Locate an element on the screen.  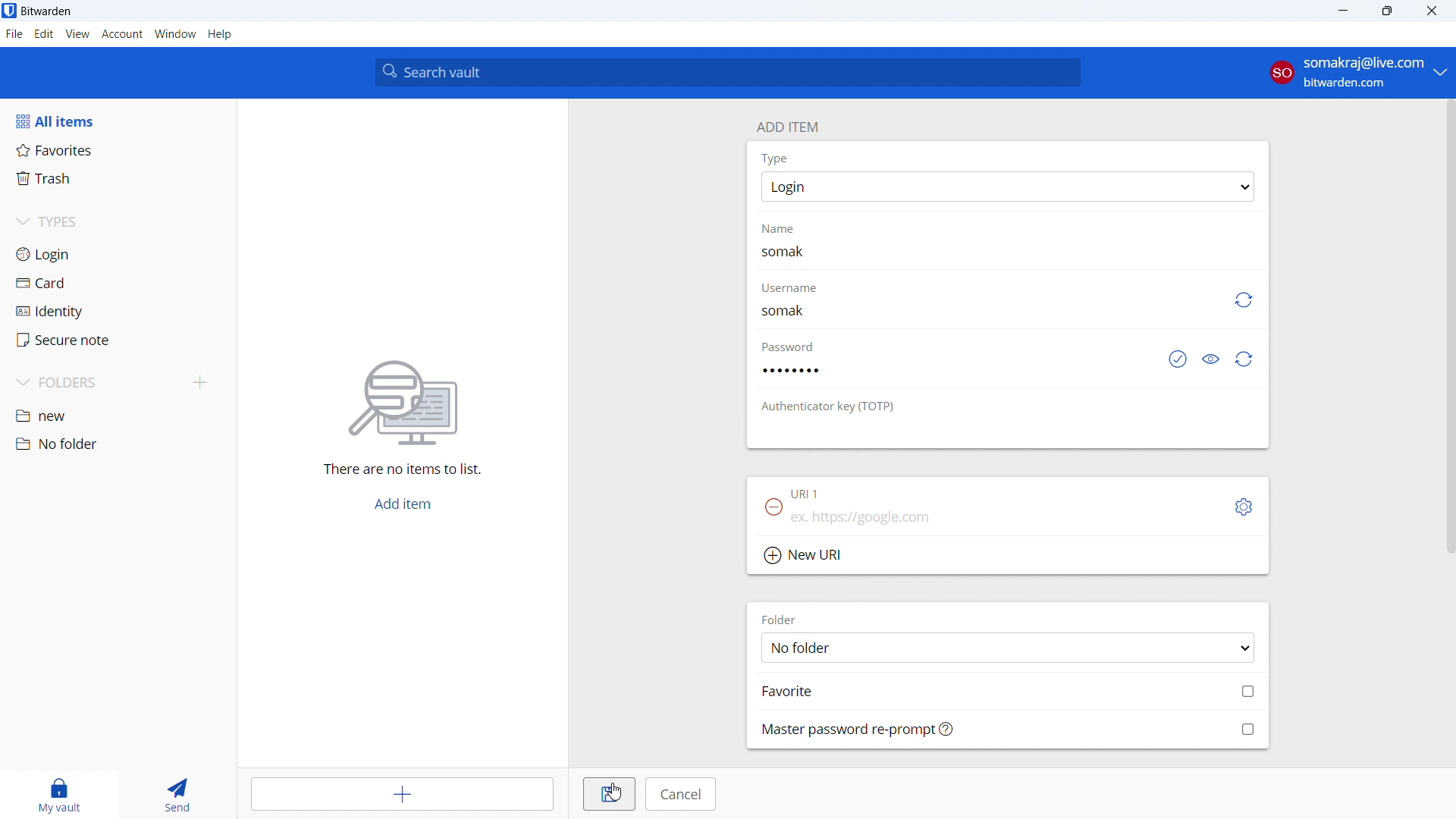
add url is located at coordinates (1007, 521).